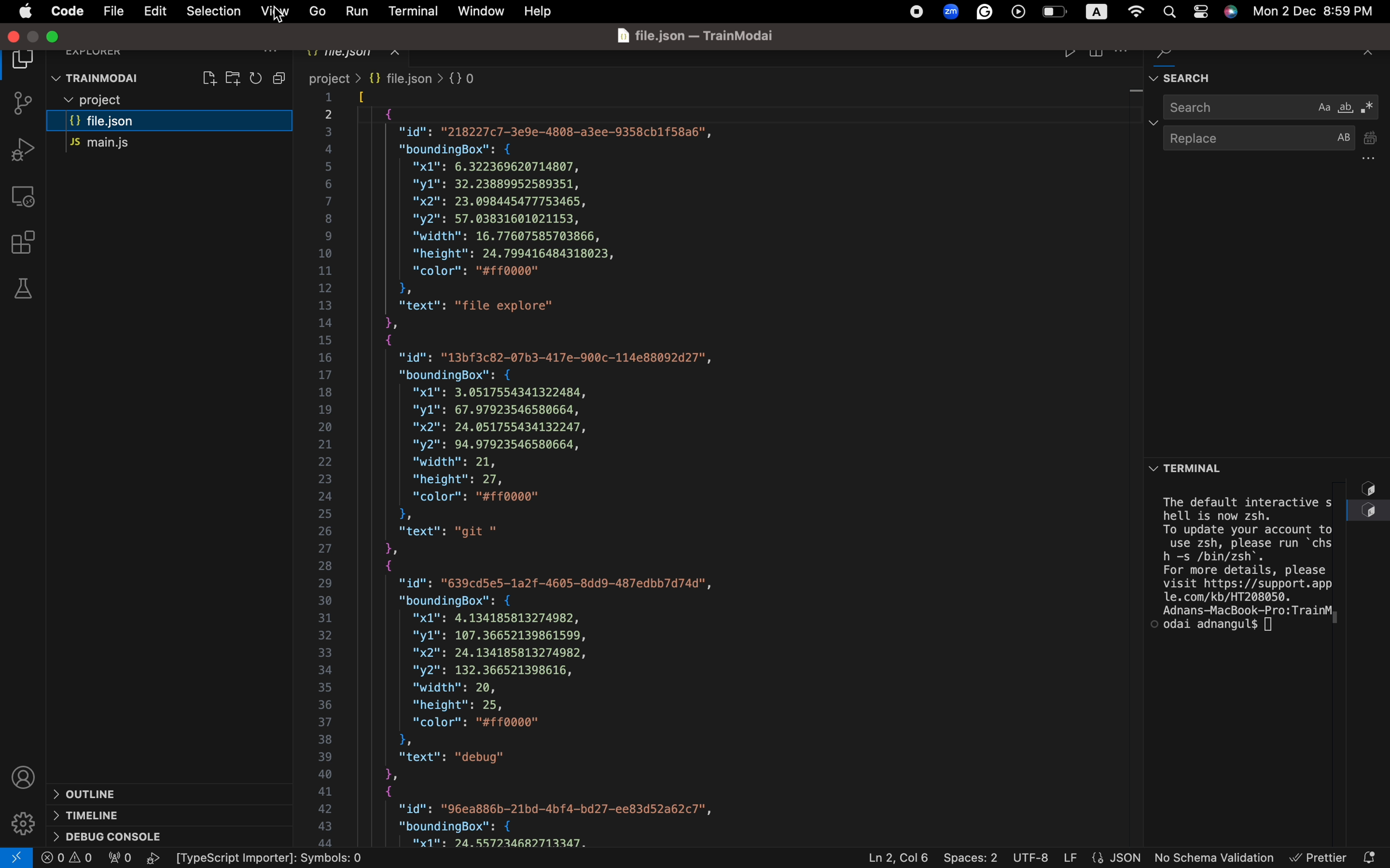 The height and width of the screenshot is (868, 1390). Describe the element at coordinates (281, 77) in the screenshot. I see `` at that location.